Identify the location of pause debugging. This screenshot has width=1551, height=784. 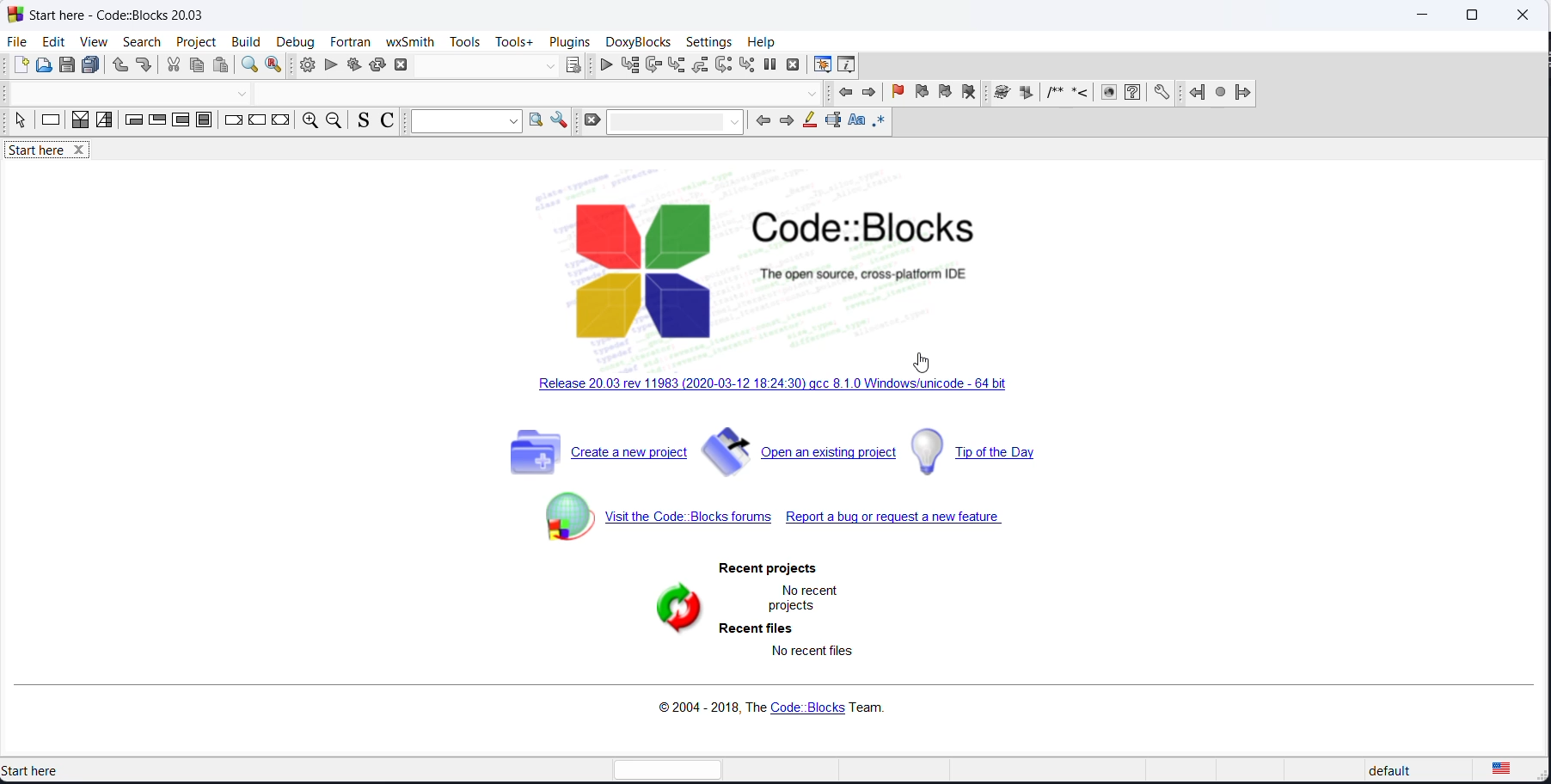
(770, 65).